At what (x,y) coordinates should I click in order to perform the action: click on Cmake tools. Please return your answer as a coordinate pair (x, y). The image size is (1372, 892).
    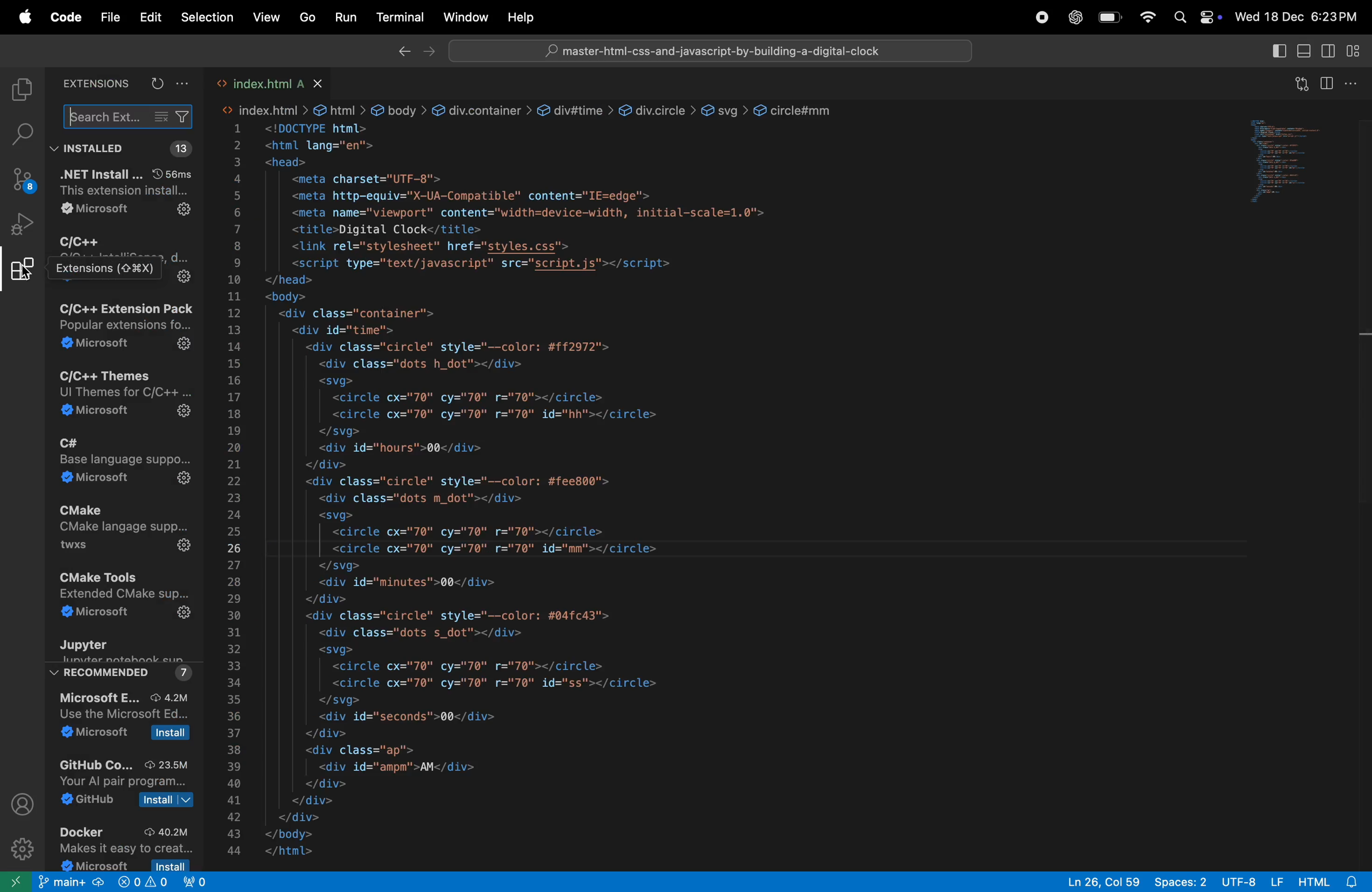
    Looking at the image, I should click on (124, 598).